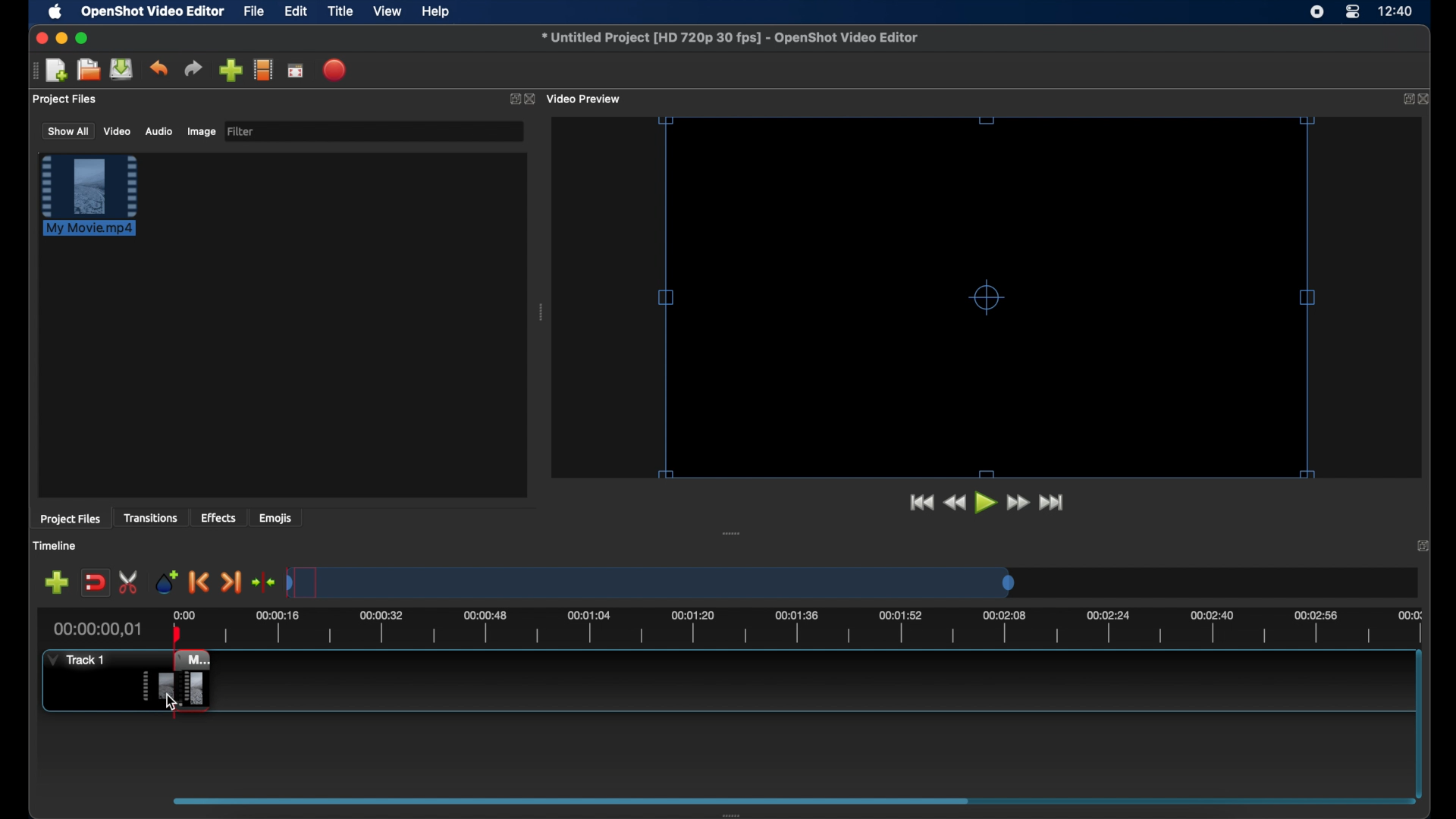  Describe the element at coordinates (154, 12) in the screenshot. I see `openshot video editor` at that location.